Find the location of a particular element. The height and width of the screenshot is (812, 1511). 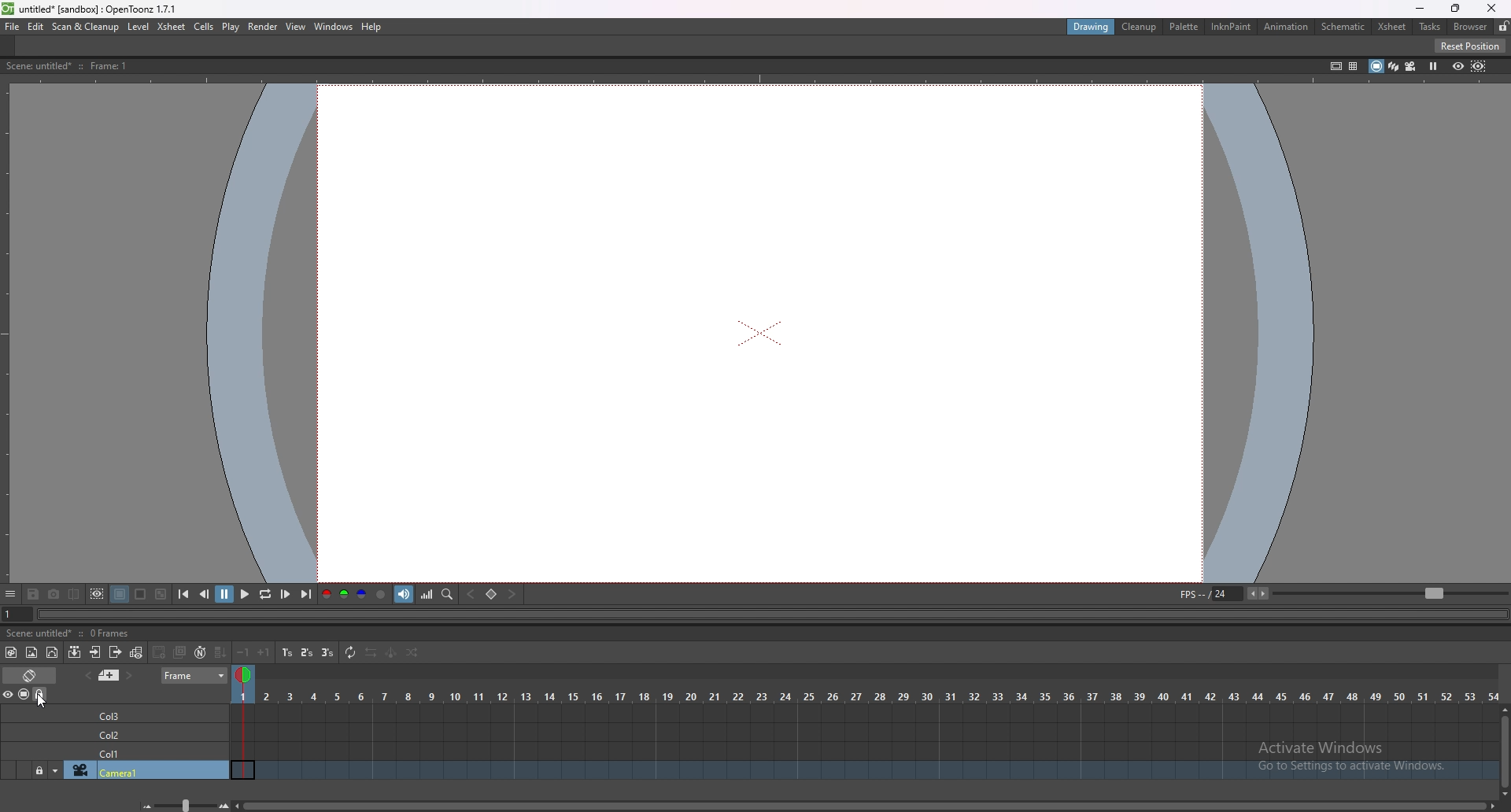

scan and cleanup is located at coordinates (86, 27).